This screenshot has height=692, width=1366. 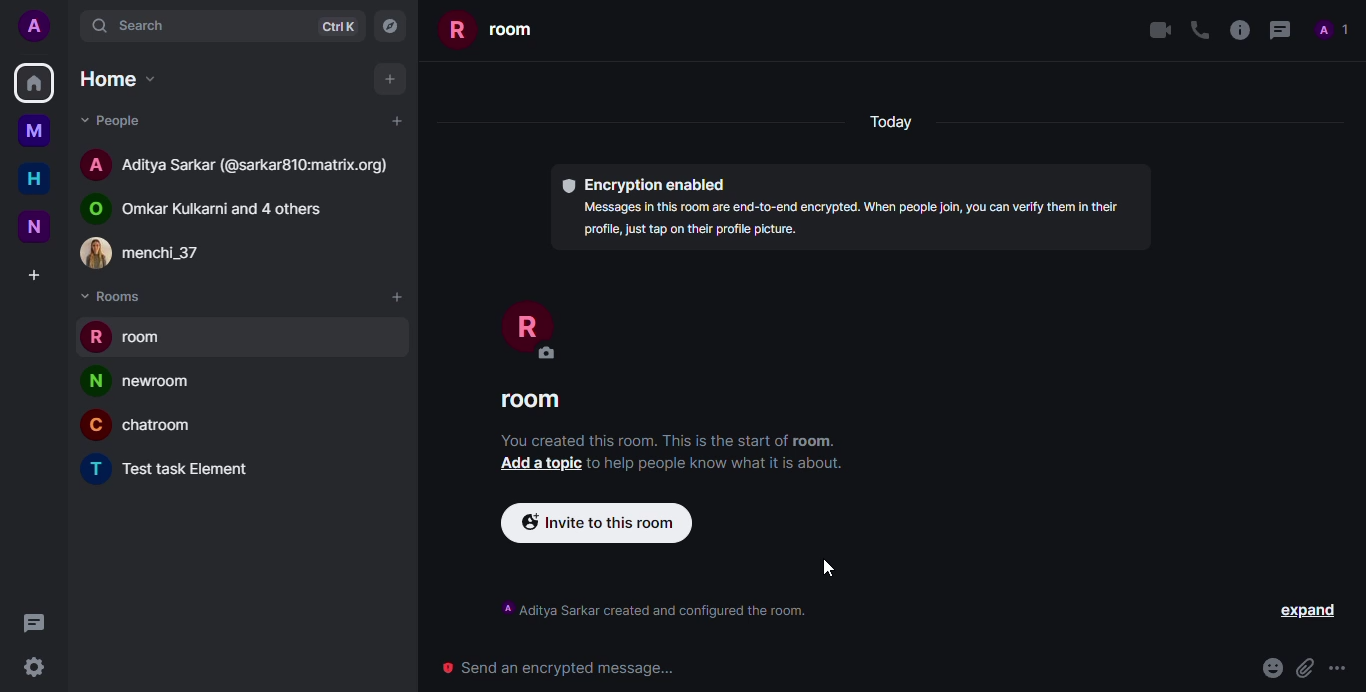 I want to click on home dropdown, so click(x=125, y=77).